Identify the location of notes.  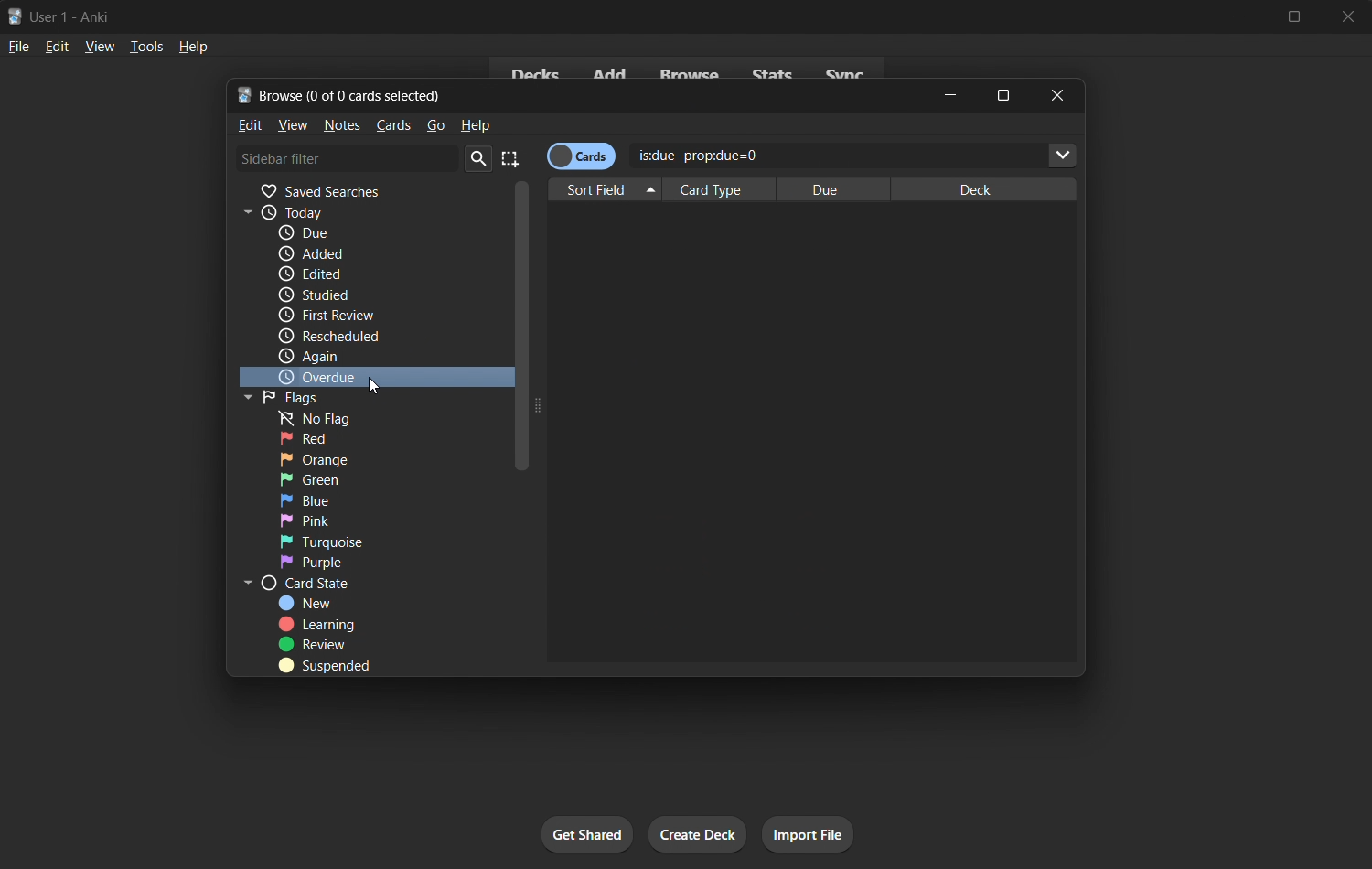
(342, 126).